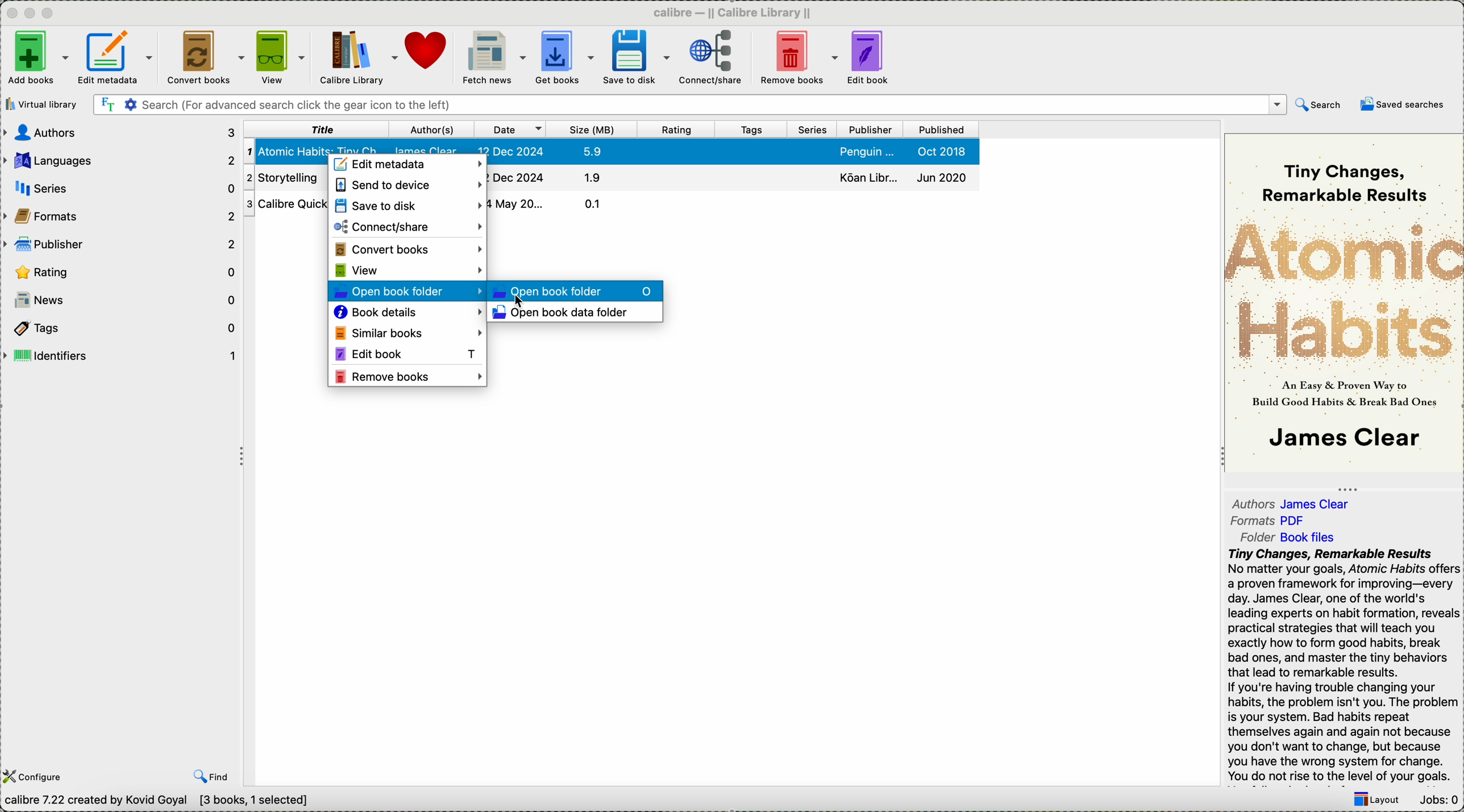 The width and height of the screenshot is (1464, 812). Describe the element at coordinates (36, 777) in the screenshot. I see `configure` at that location.